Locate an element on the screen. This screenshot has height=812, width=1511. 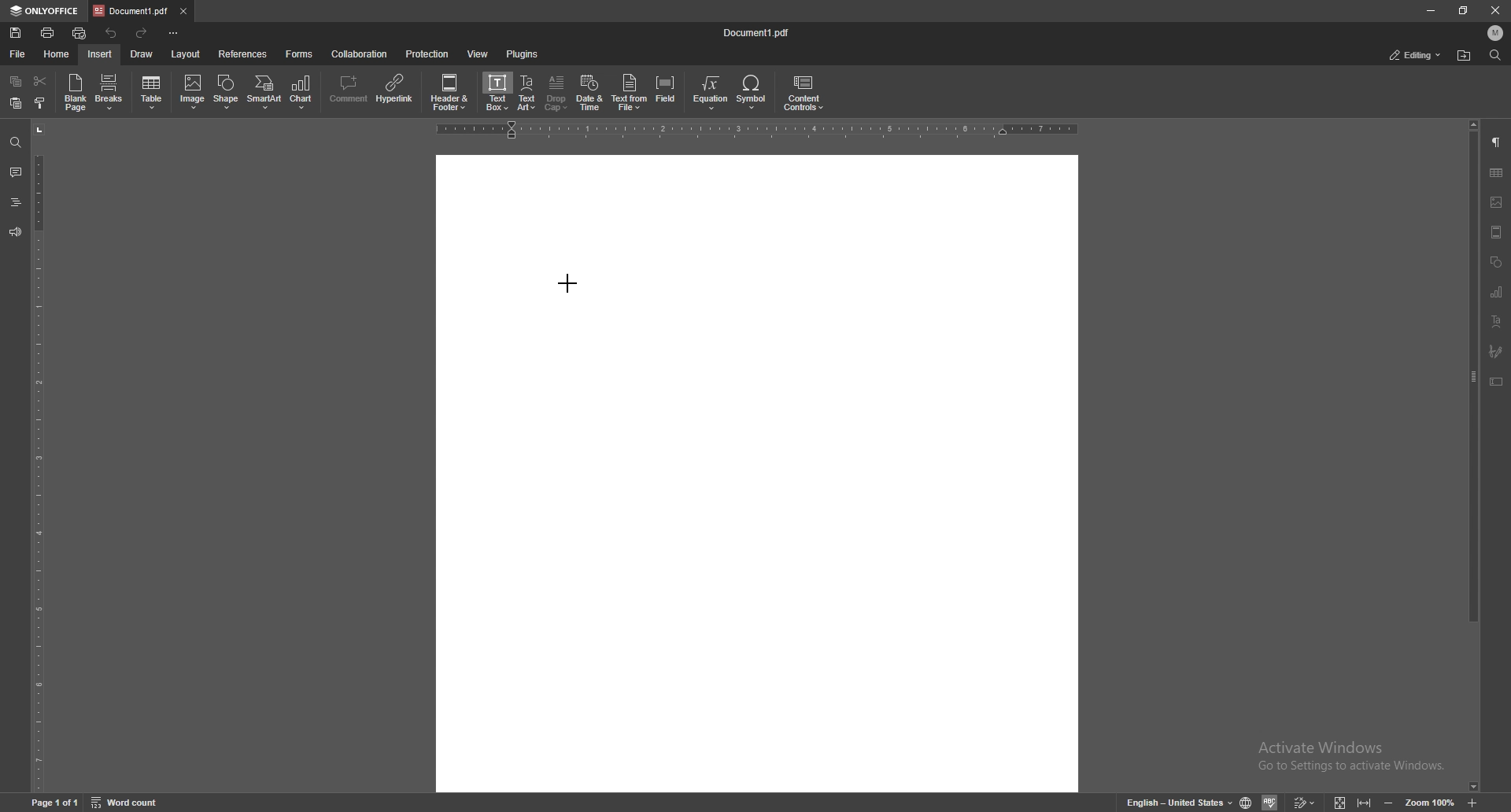
find in folder is located at coordinates (1464, 56).